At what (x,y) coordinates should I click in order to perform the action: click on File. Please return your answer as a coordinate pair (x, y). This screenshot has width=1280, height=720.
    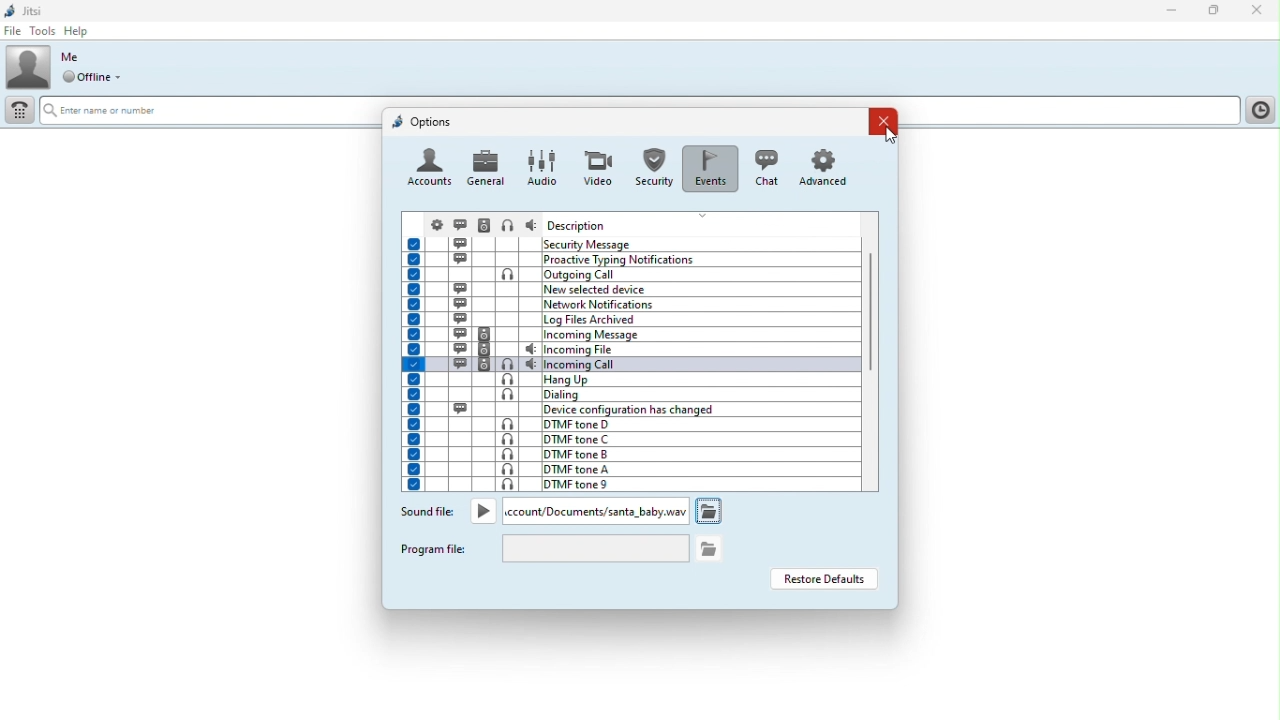
    Looking at the image, I should click on (12, 31).